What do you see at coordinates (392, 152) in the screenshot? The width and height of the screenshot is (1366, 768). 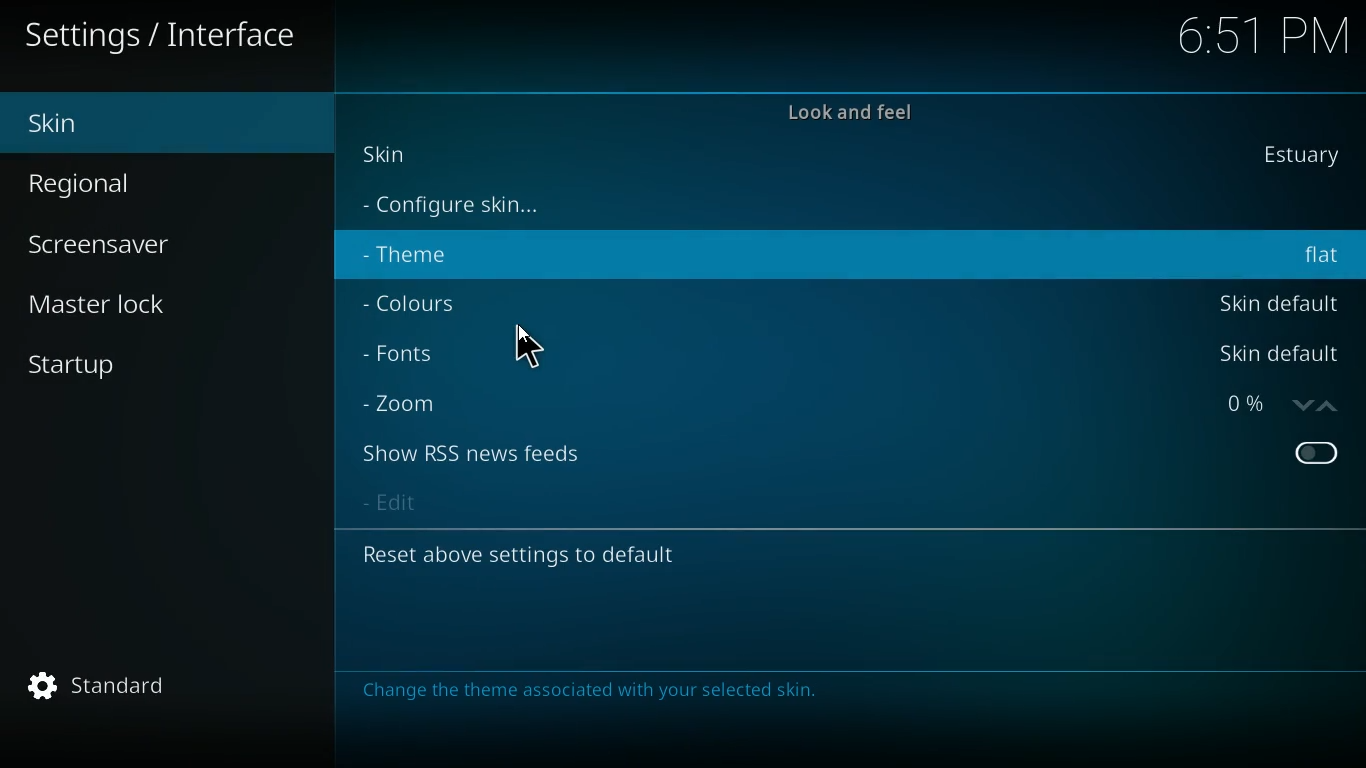 I see `skin` at bounding box center [392, 152].